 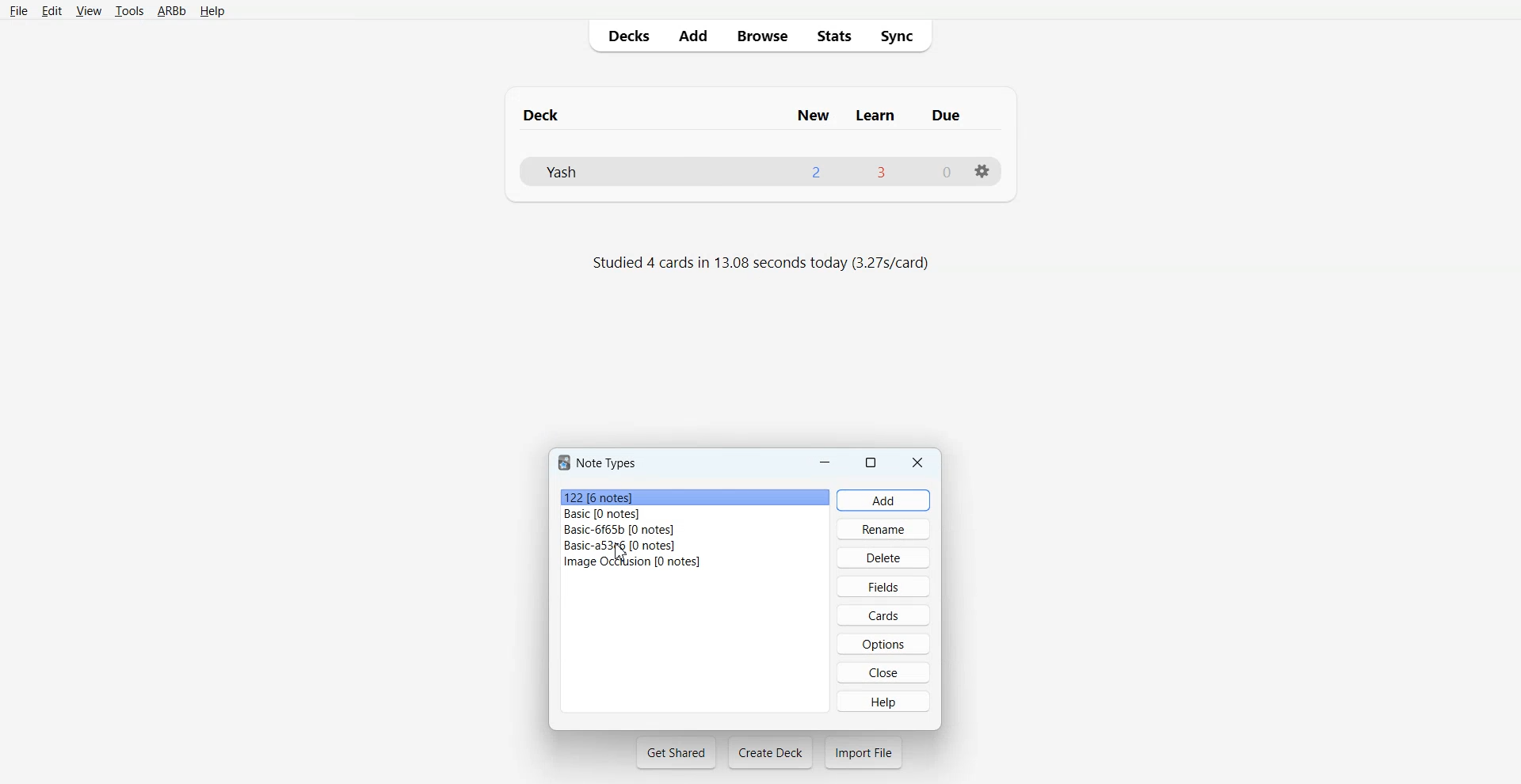 What do you see at coordinates (883, 701) in the screenshot?
I see `Help` at bounding box center [883, 701].